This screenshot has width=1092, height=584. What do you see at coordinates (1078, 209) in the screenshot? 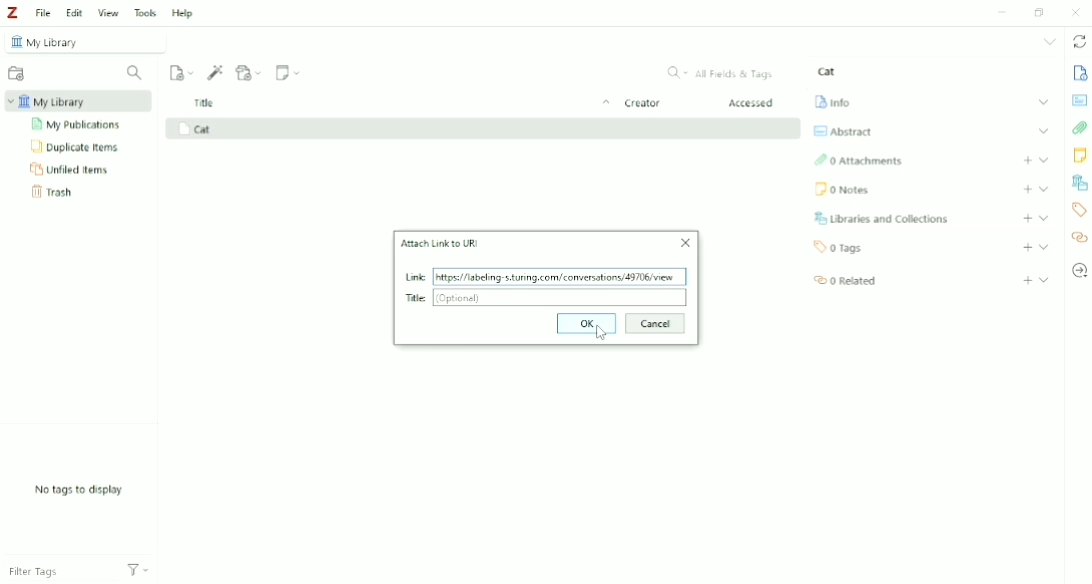
I see `Tags` at bounding box center [1078, 209].